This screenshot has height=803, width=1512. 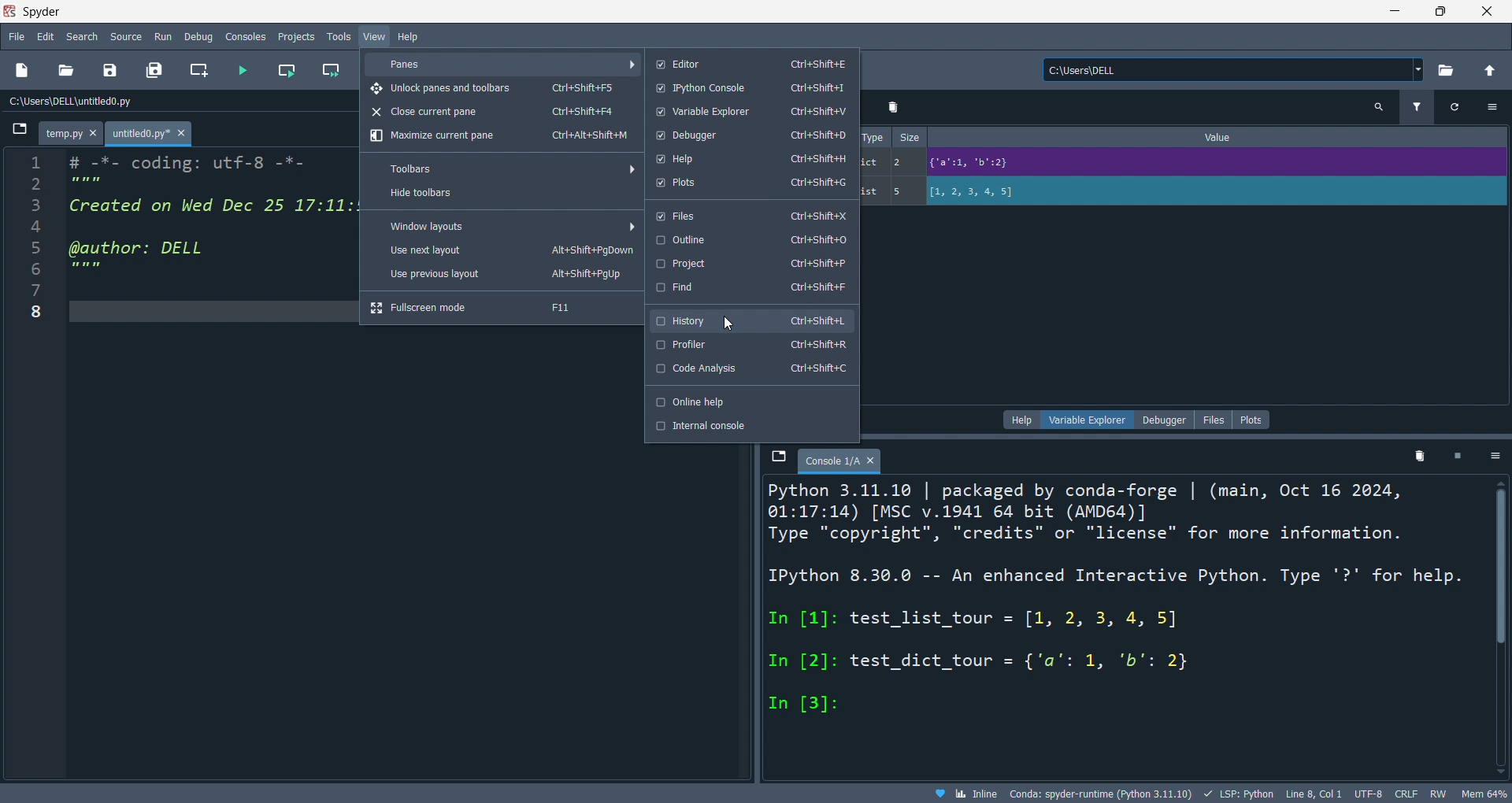 I want to click on list, so click(x=872, y=192).